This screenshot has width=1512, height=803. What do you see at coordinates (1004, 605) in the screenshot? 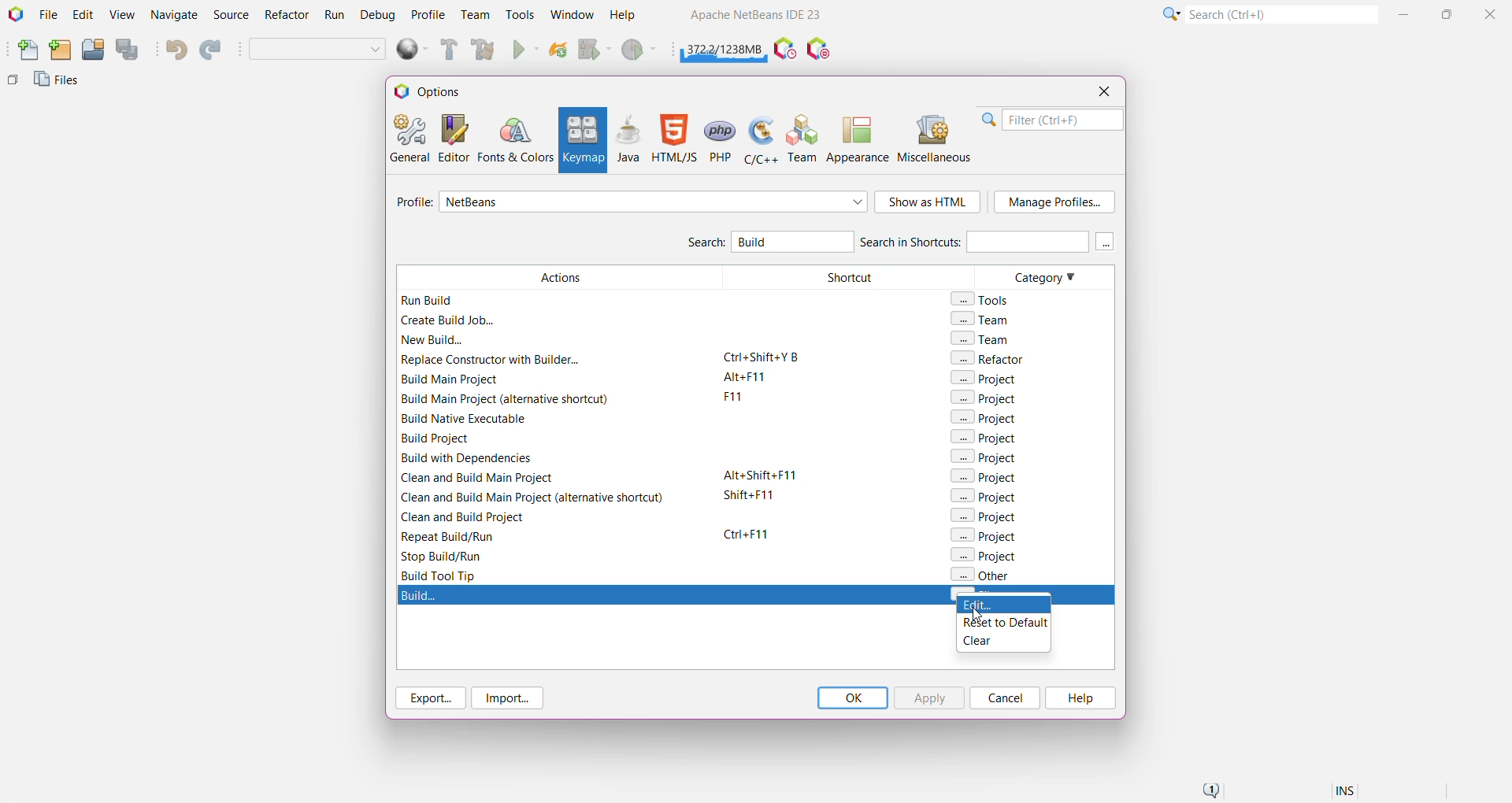
I see `Edit` at bounding box center [1004, 605].